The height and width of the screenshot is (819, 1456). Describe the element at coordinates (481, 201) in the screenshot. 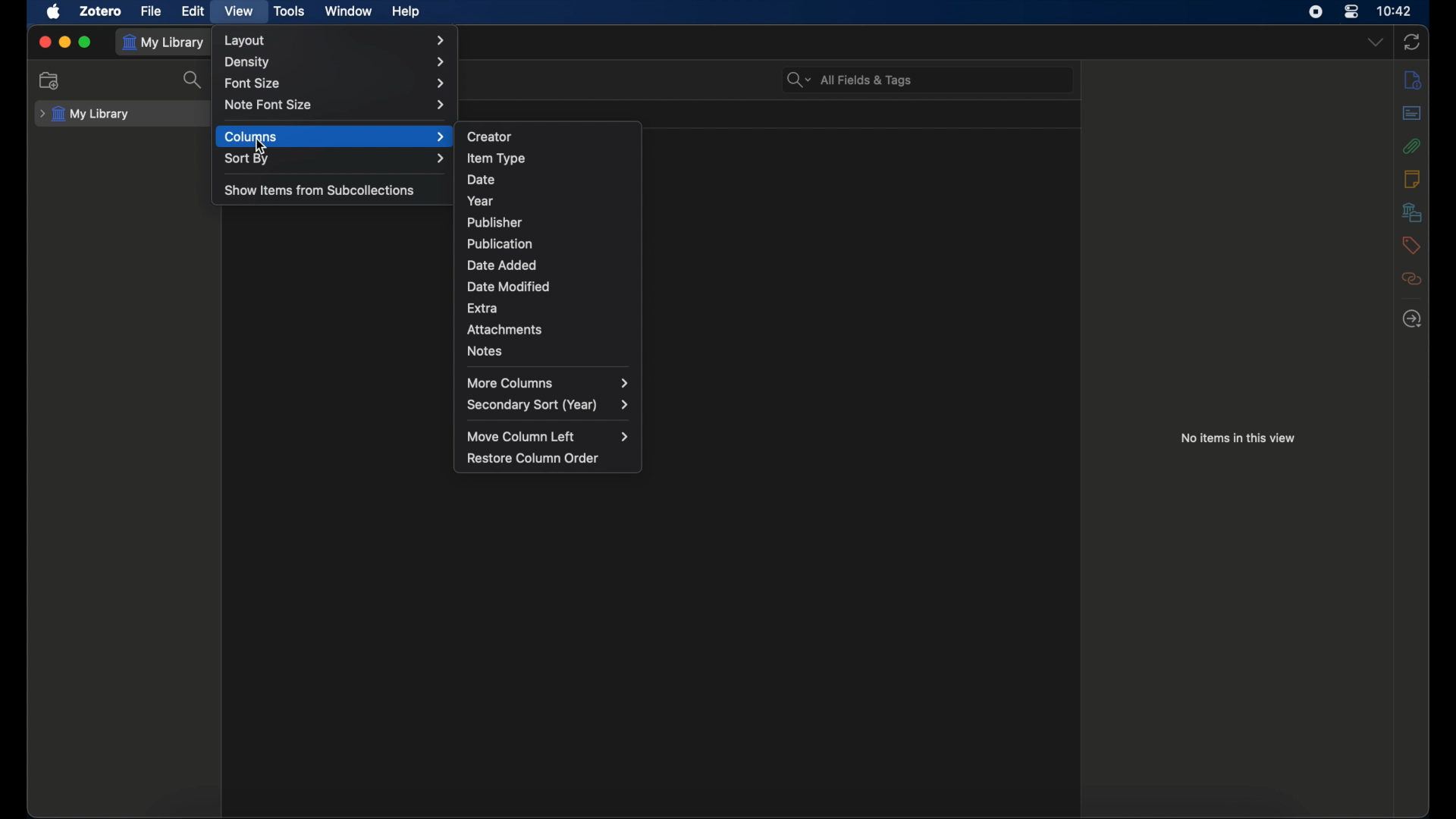

I see `year` at that location.